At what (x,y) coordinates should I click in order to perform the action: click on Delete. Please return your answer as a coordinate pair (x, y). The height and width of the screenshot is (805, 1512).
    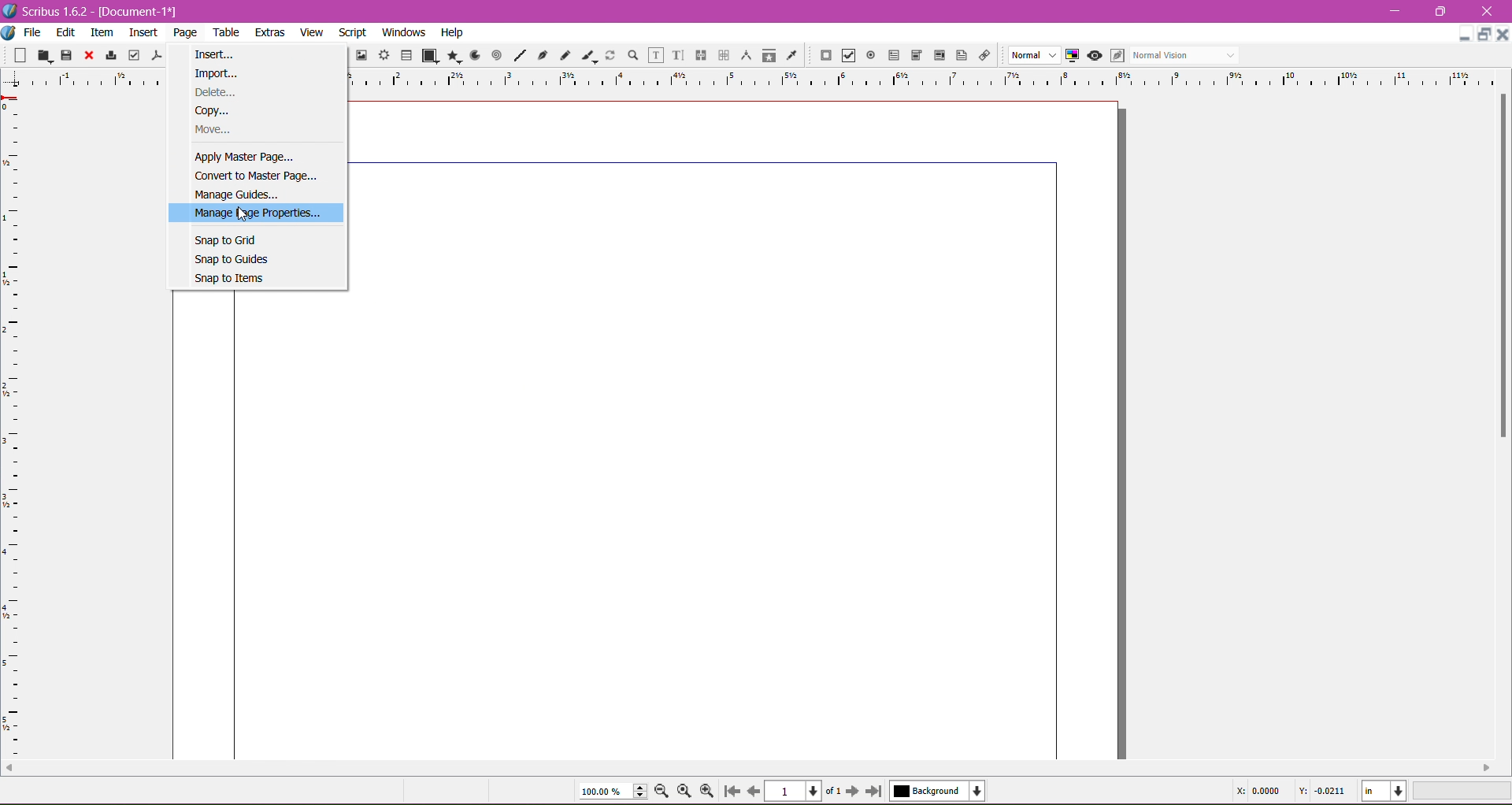
    Looking at the image, I should click on (218, 93).